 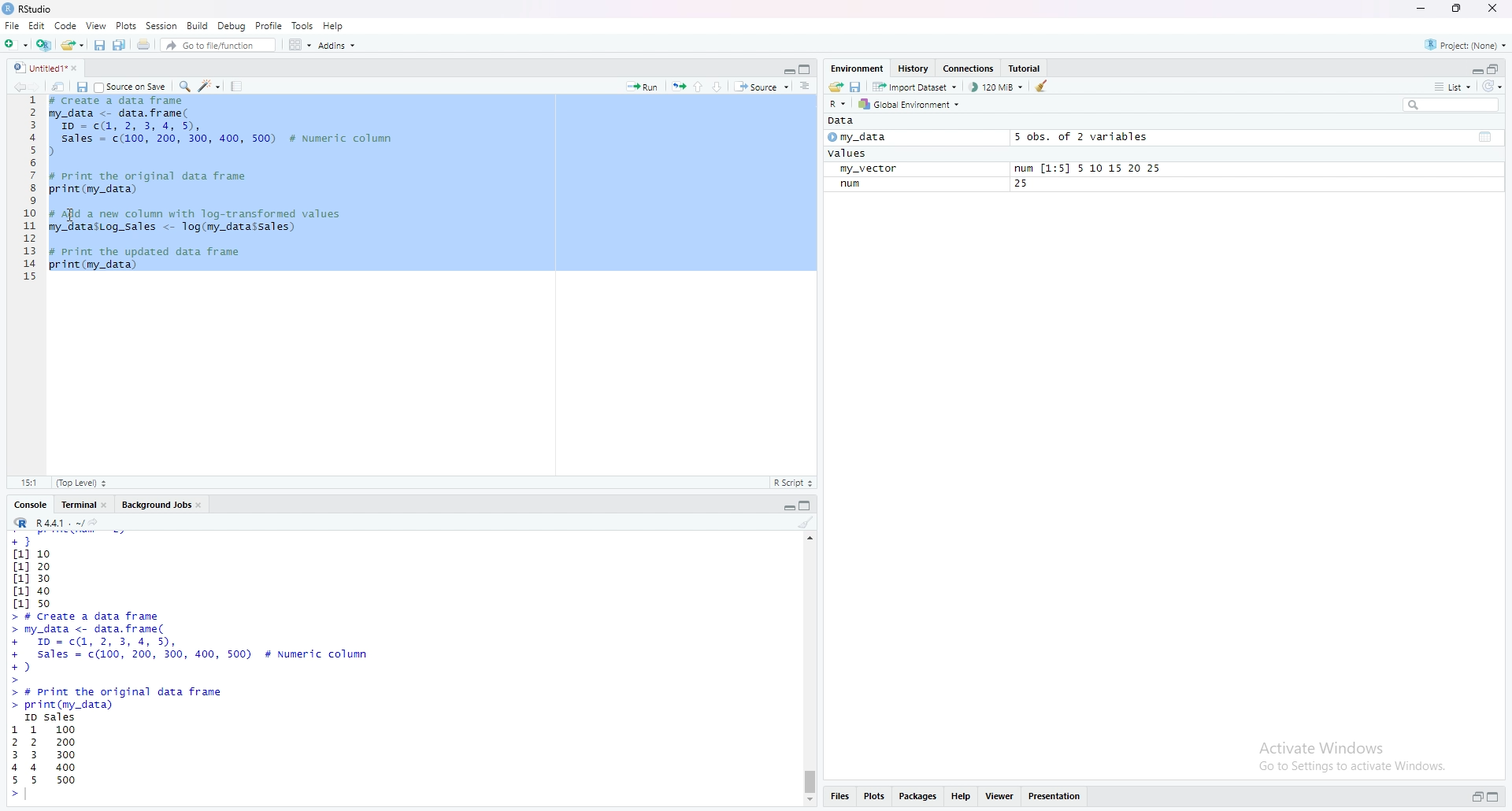 What do you see at coordinates (69, 9) in the screenshot?
I see `RStudio` at bounding box center [69, 9].